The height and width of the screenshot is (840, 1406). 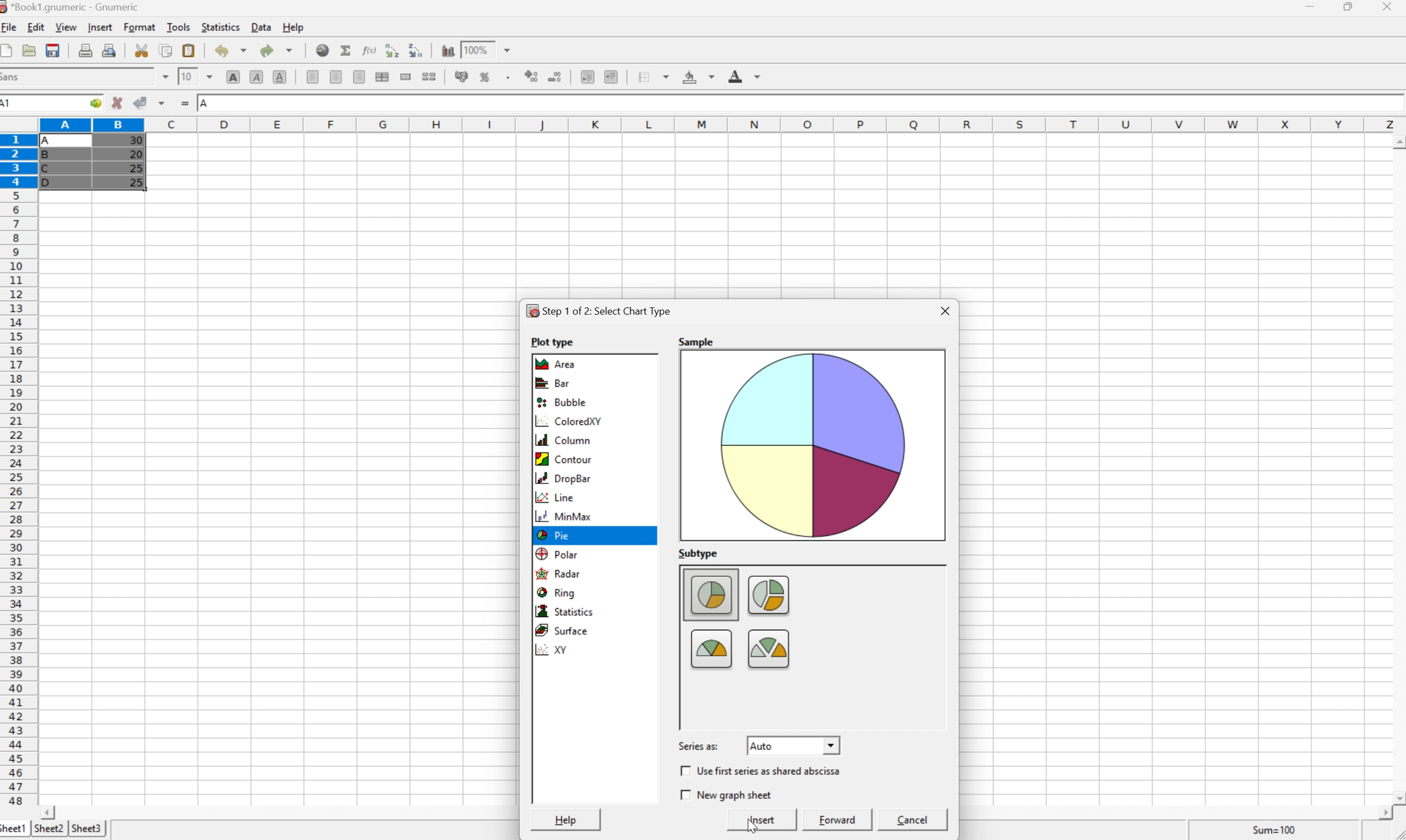 I want to click on Decrease number of decimals displayed, so click(x=557, y=78).